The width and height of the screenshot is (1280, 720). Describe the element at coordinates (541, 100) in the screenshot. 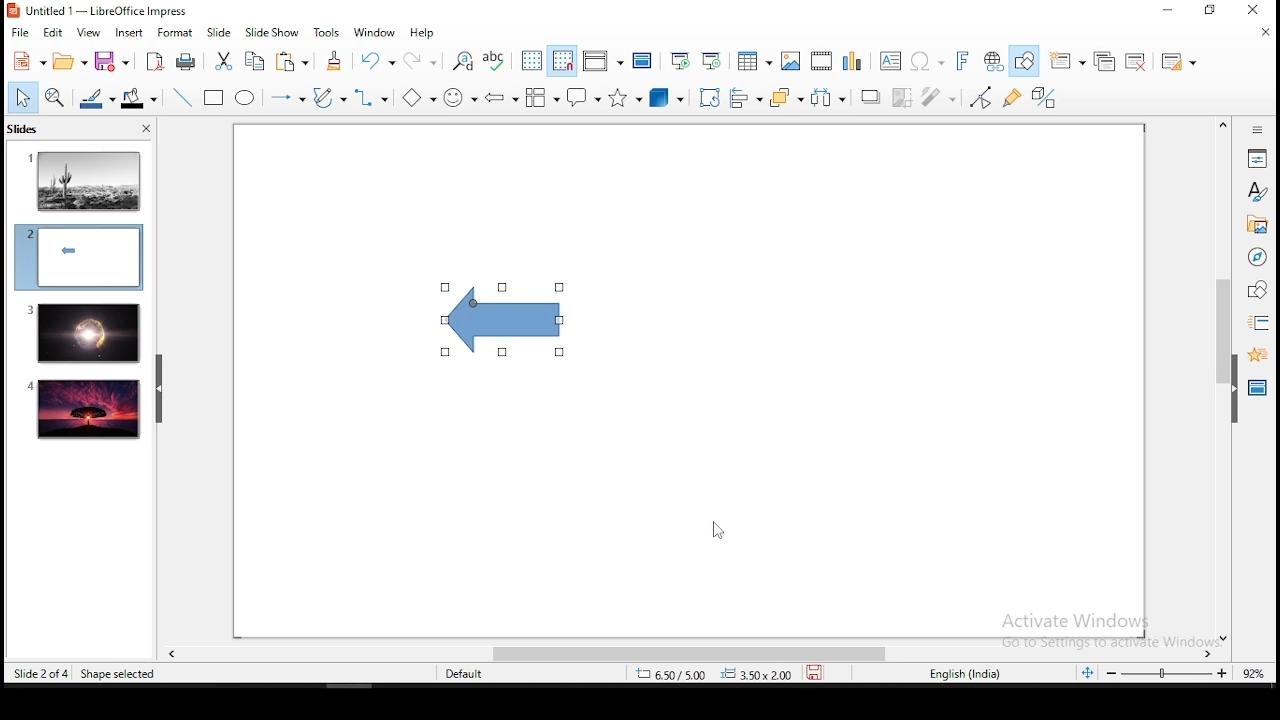

I see `flowchart` at that location.